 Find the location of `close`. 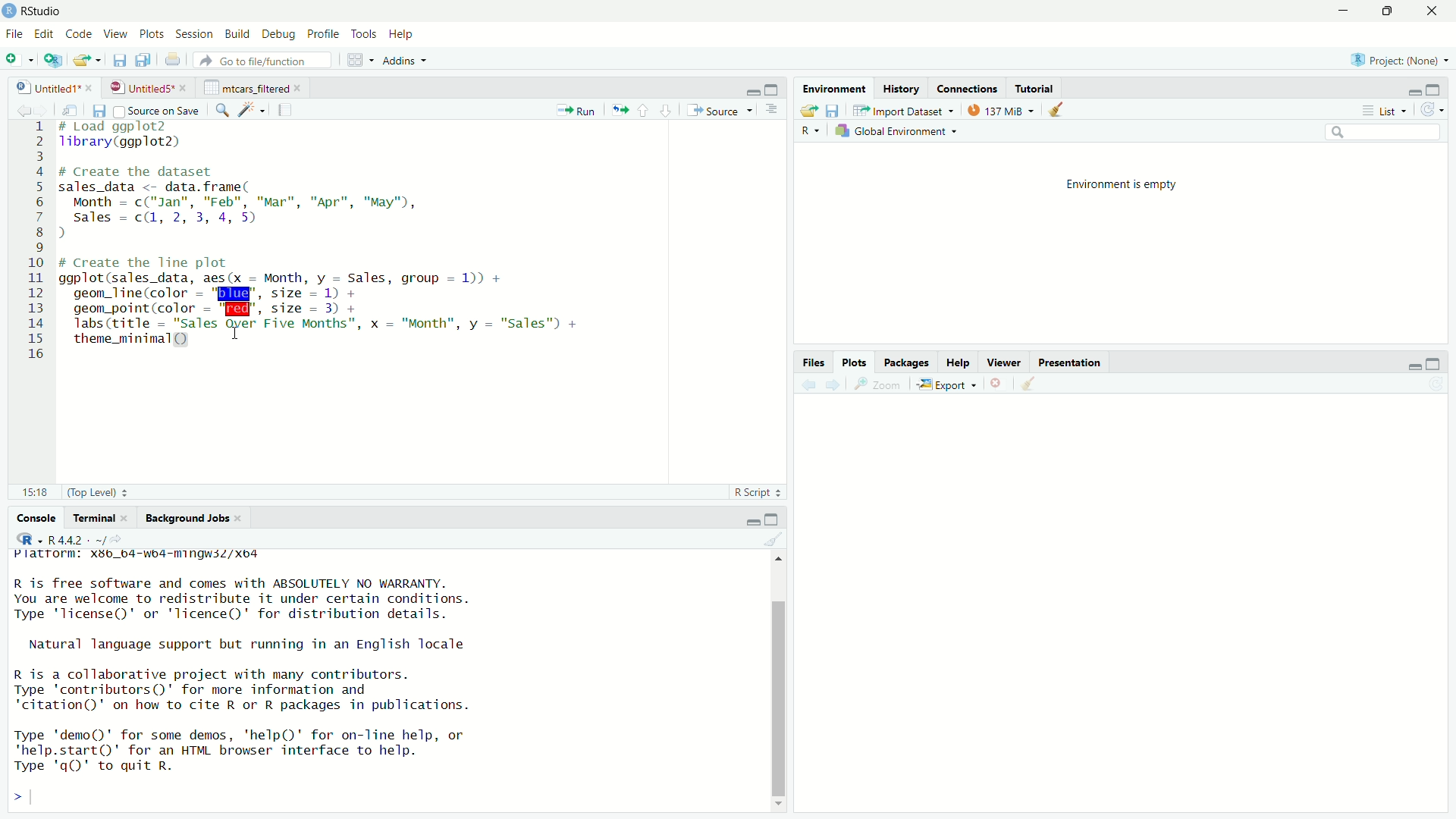

close is located at coordinates (130, 518).